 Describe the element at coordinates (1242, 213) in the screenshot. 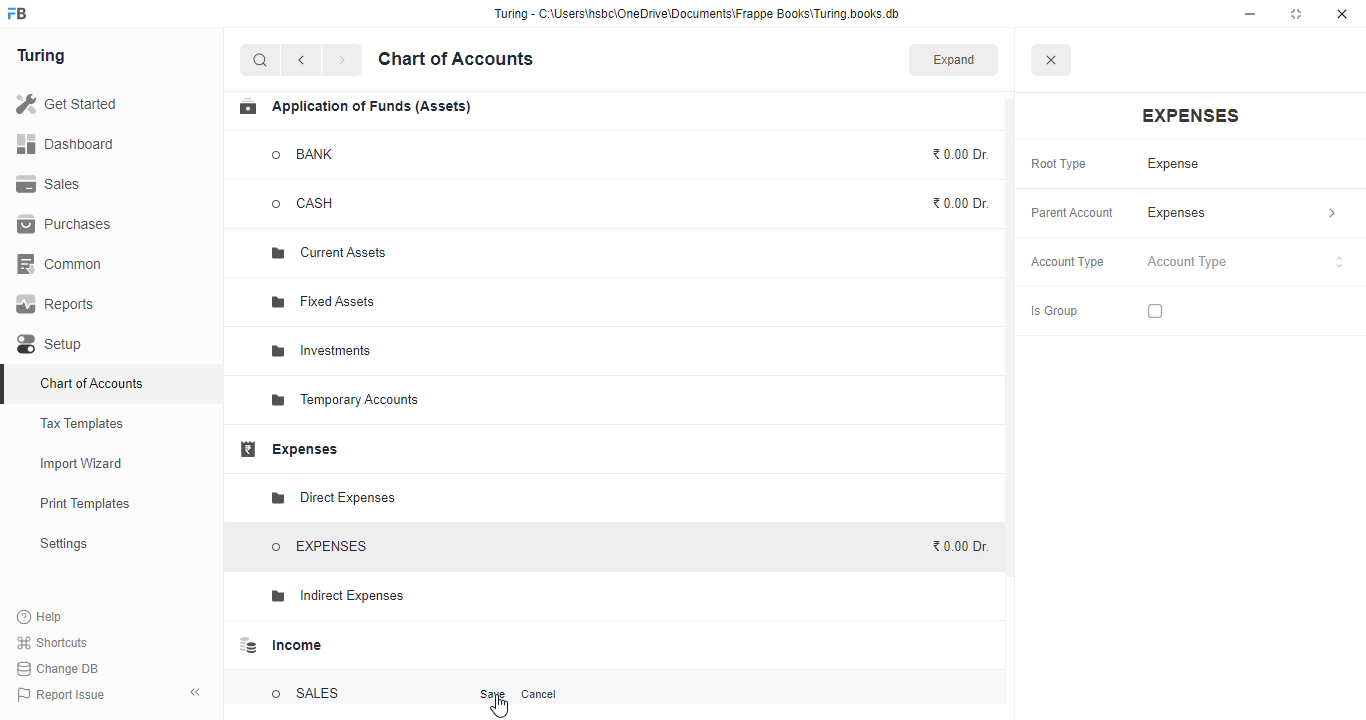

I see `expenses` at that location.